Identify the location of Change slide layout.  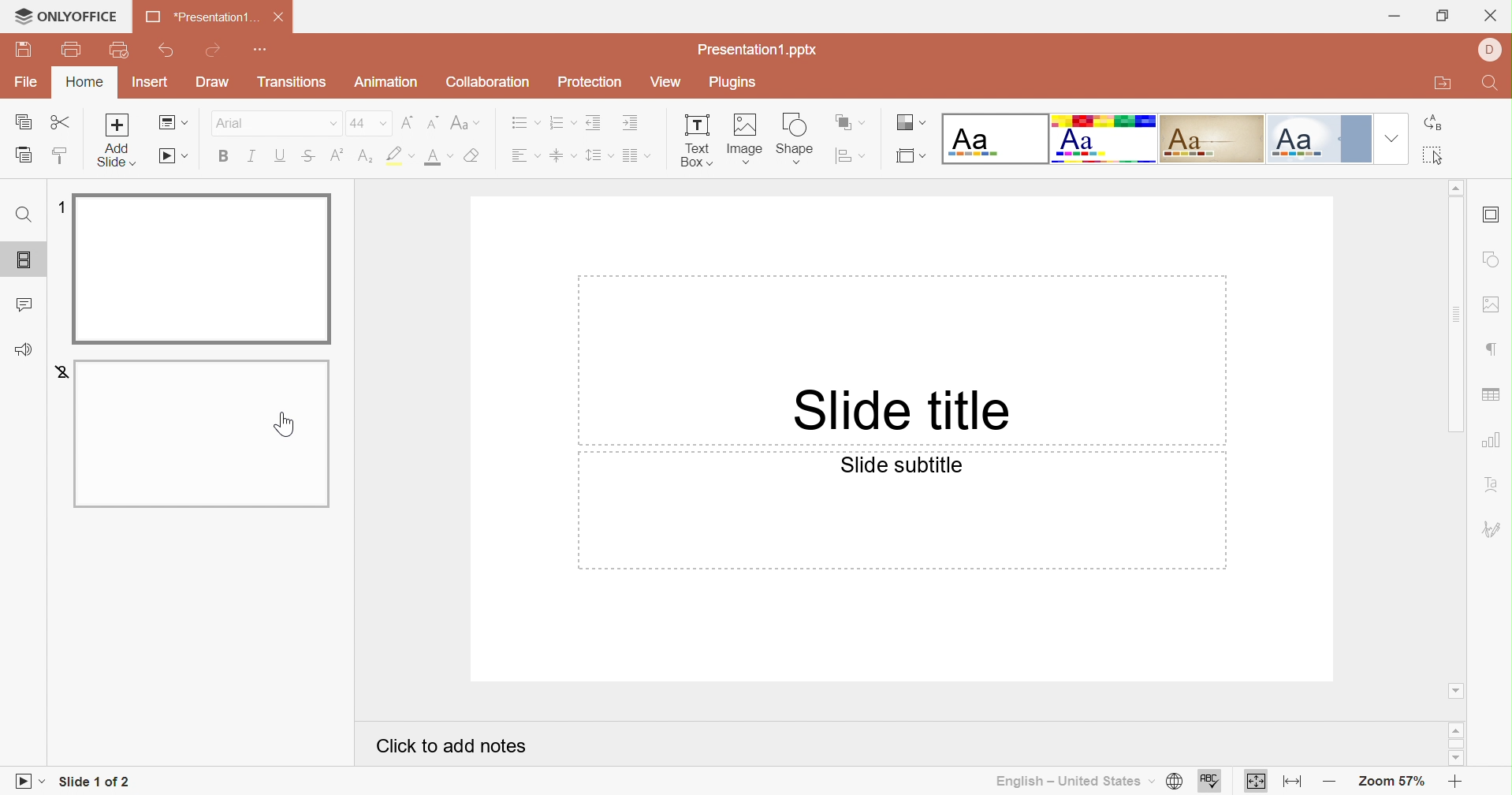
(175, 123).